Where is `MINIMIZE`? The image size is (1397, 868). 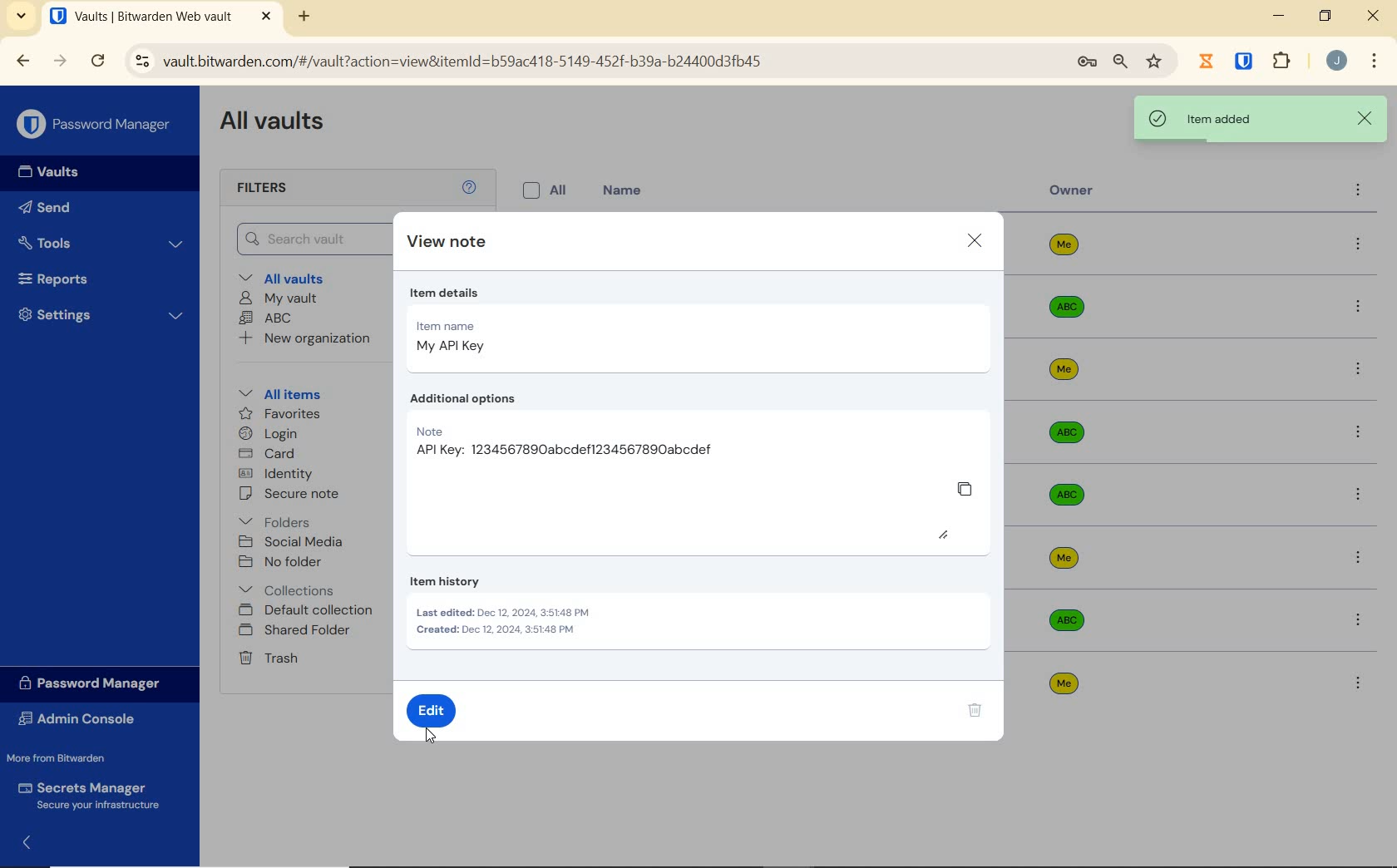 MINIMIZE is located at coordinates (1281, 17).